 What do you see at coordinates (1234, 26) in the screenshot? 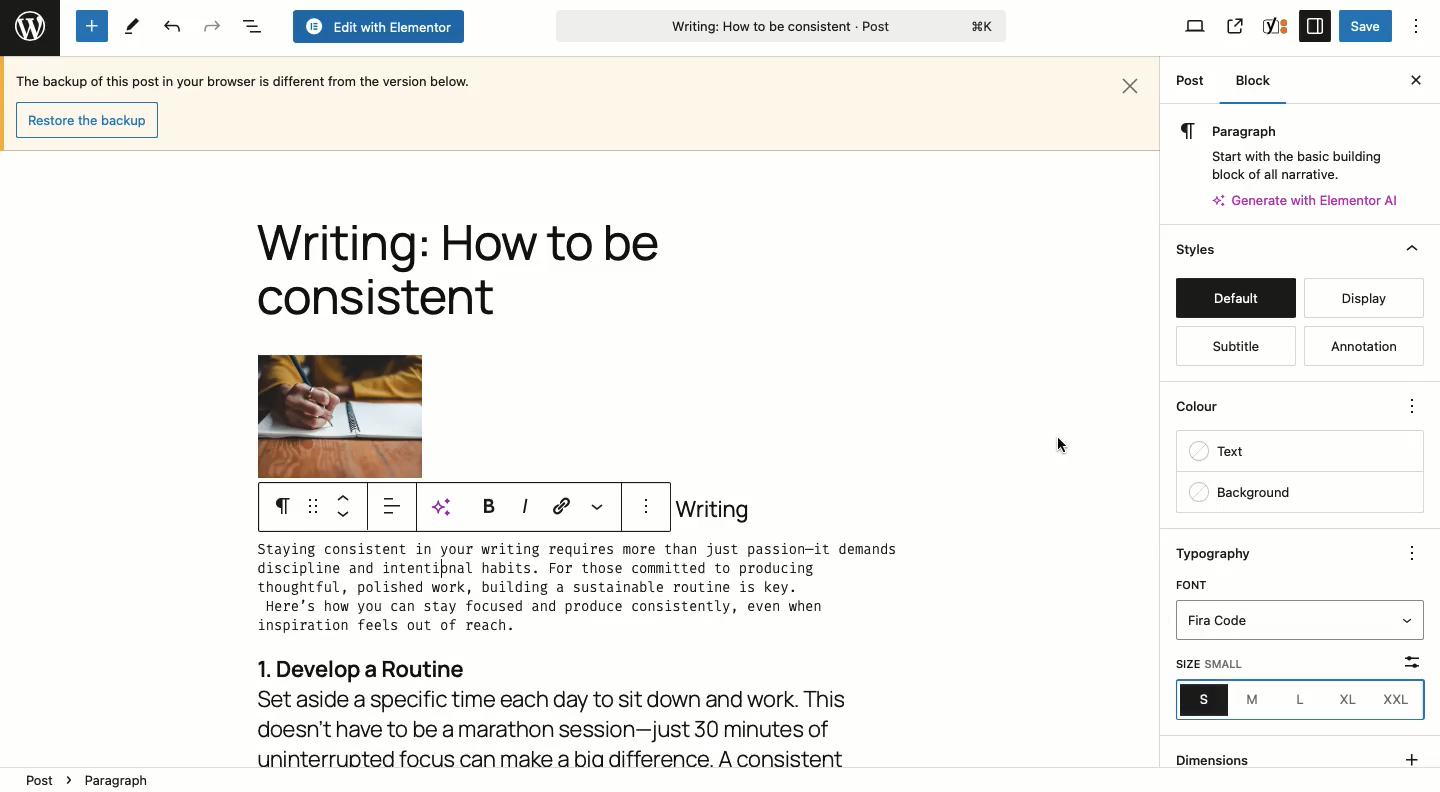
I see `View post` at bounding box center [1234, 26].